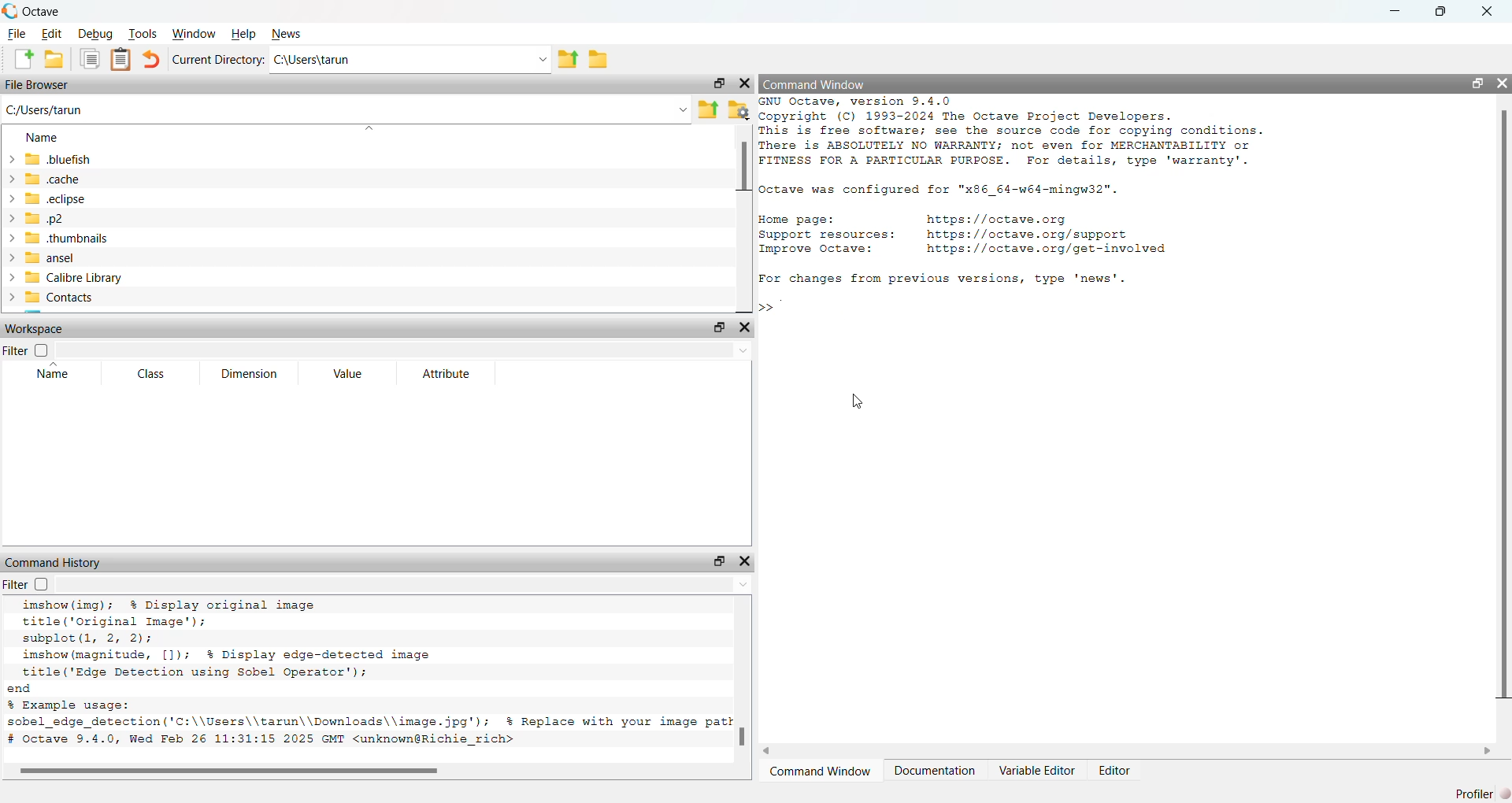  What do you see at coordinates (43, 138) in the screenshot?
I see `Name` at bounding box center [43, 138].